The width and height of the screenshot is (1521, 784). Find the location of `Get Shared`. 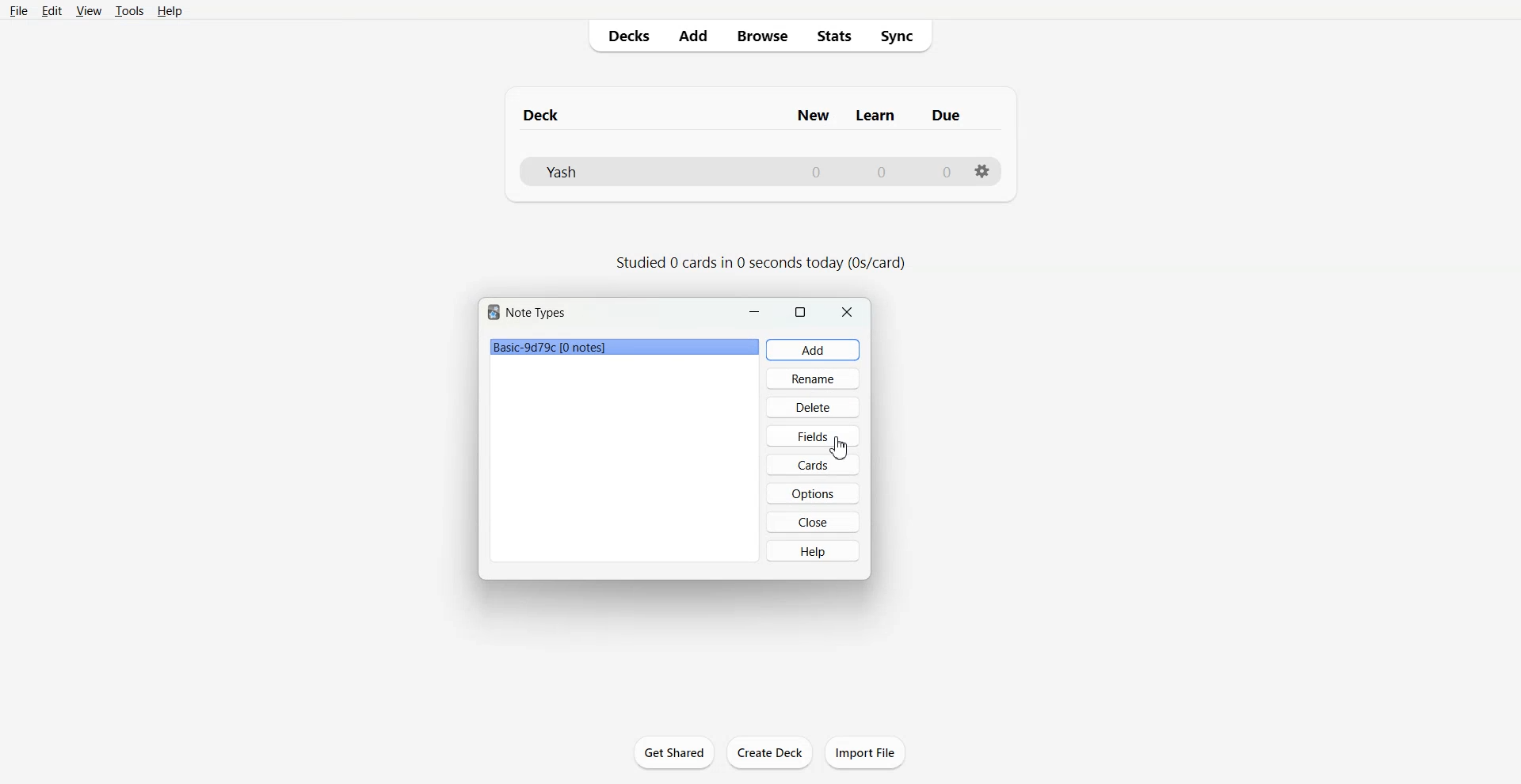

Get Shared is located at coordinates (674, 752).